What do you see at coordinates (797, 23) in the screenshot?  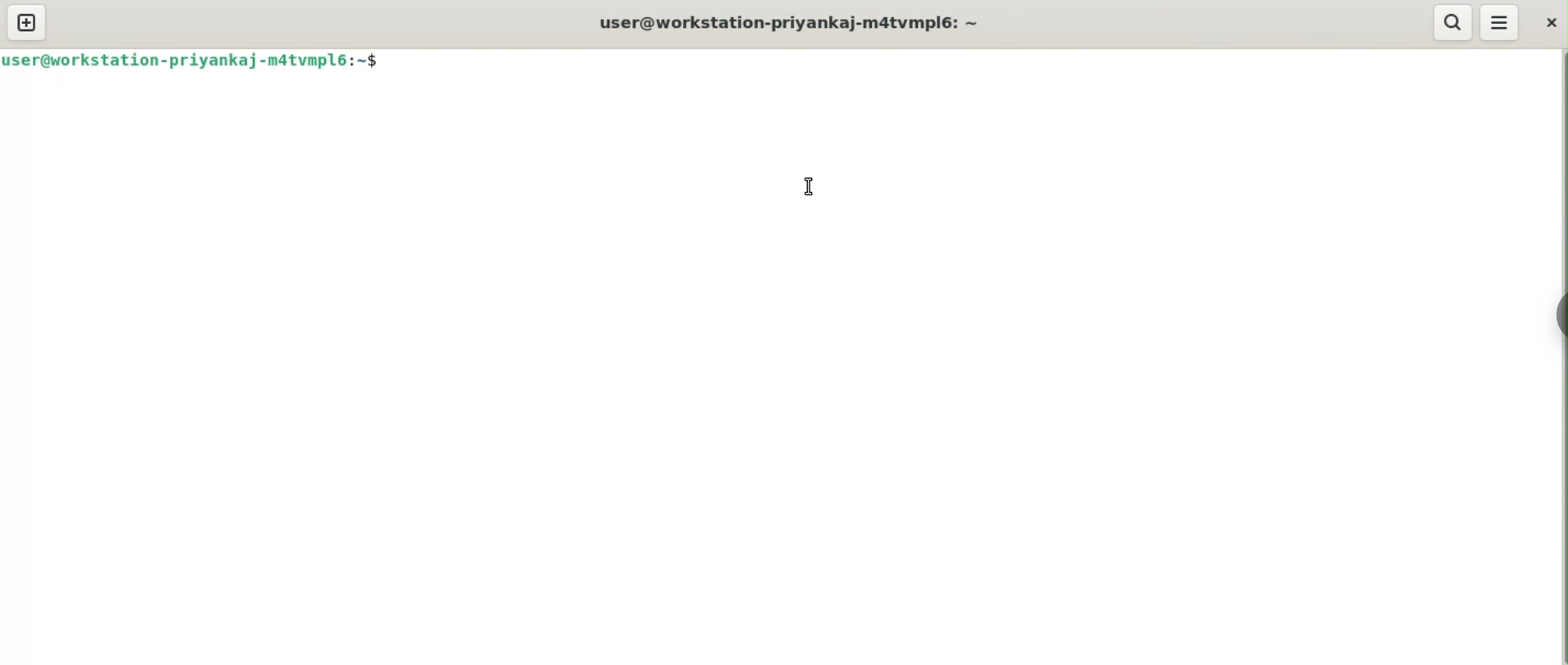 I see `user@workstation-priyankaj-m4tvmpl6: ~` at bounding box center [797, 23].